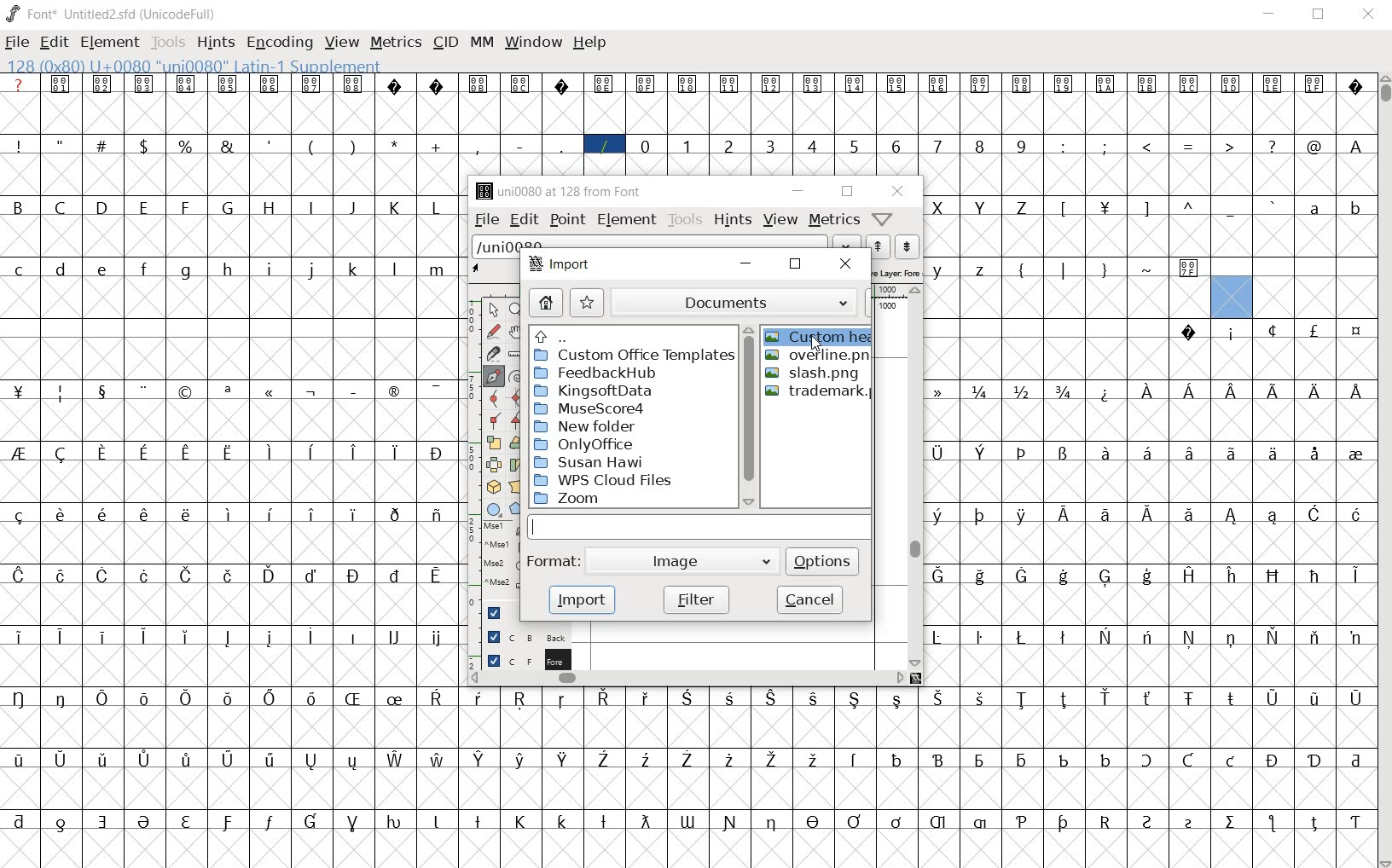 Image resolution: width=1392 pixels, height=868 pixels. What do you see at coordinates (937, 146) in the screenshot?
I see `glyph` at bounding box center [937, 146].